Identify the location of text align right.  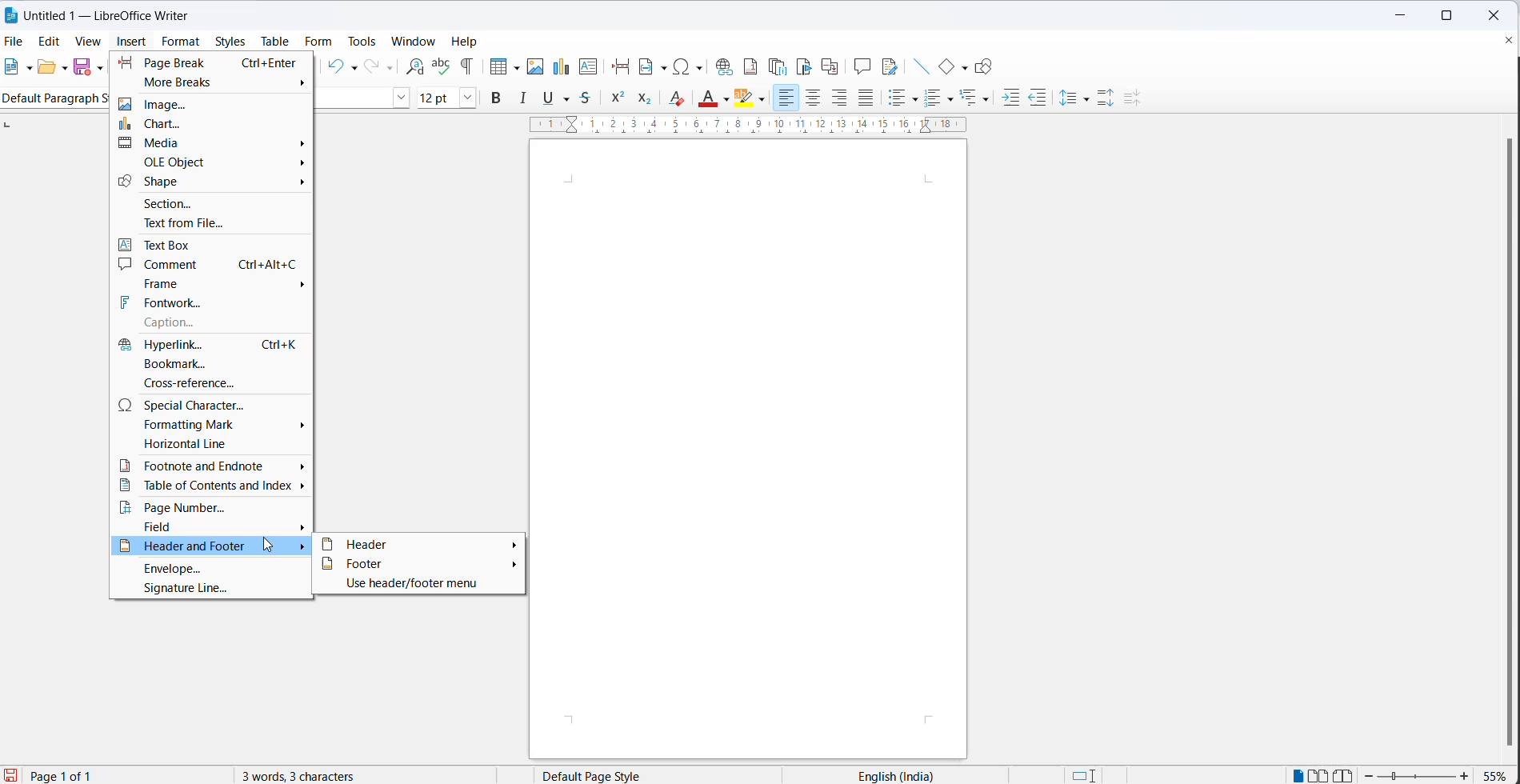
(840, 98).